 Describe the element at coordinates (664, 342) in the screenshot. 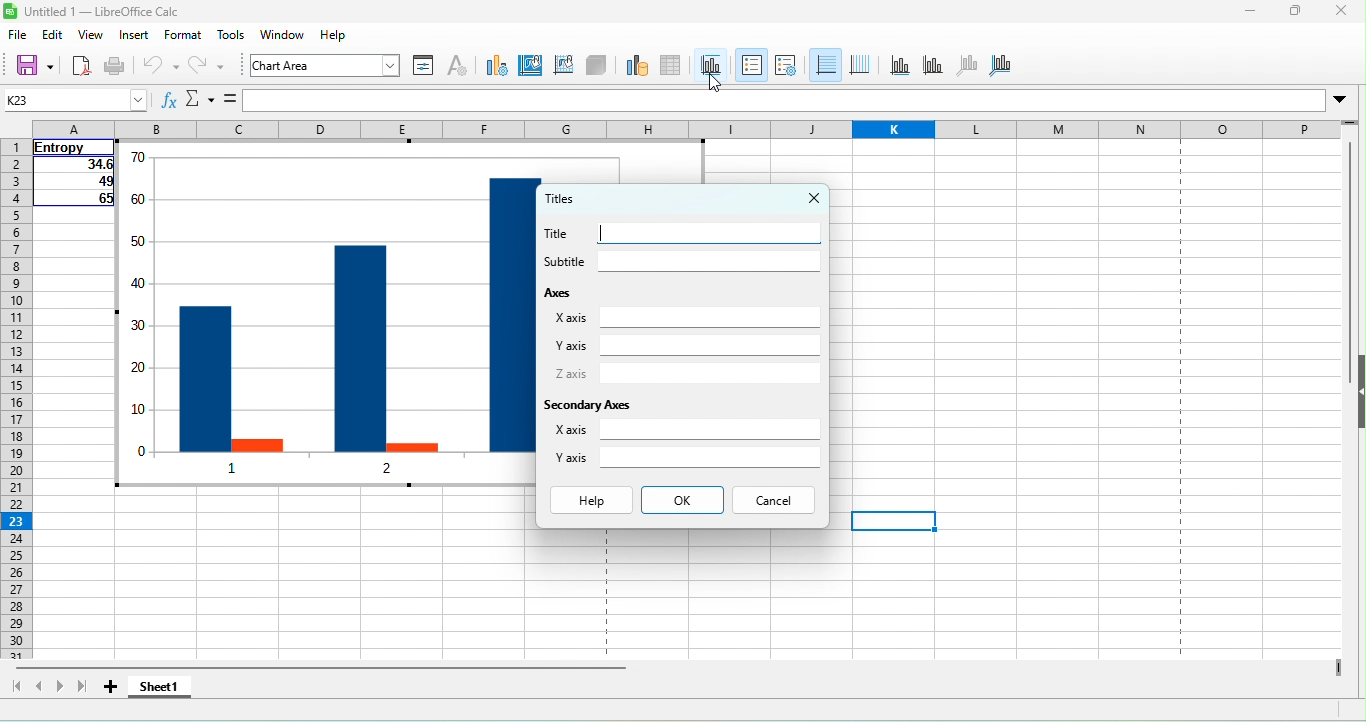

I see `` at that location.